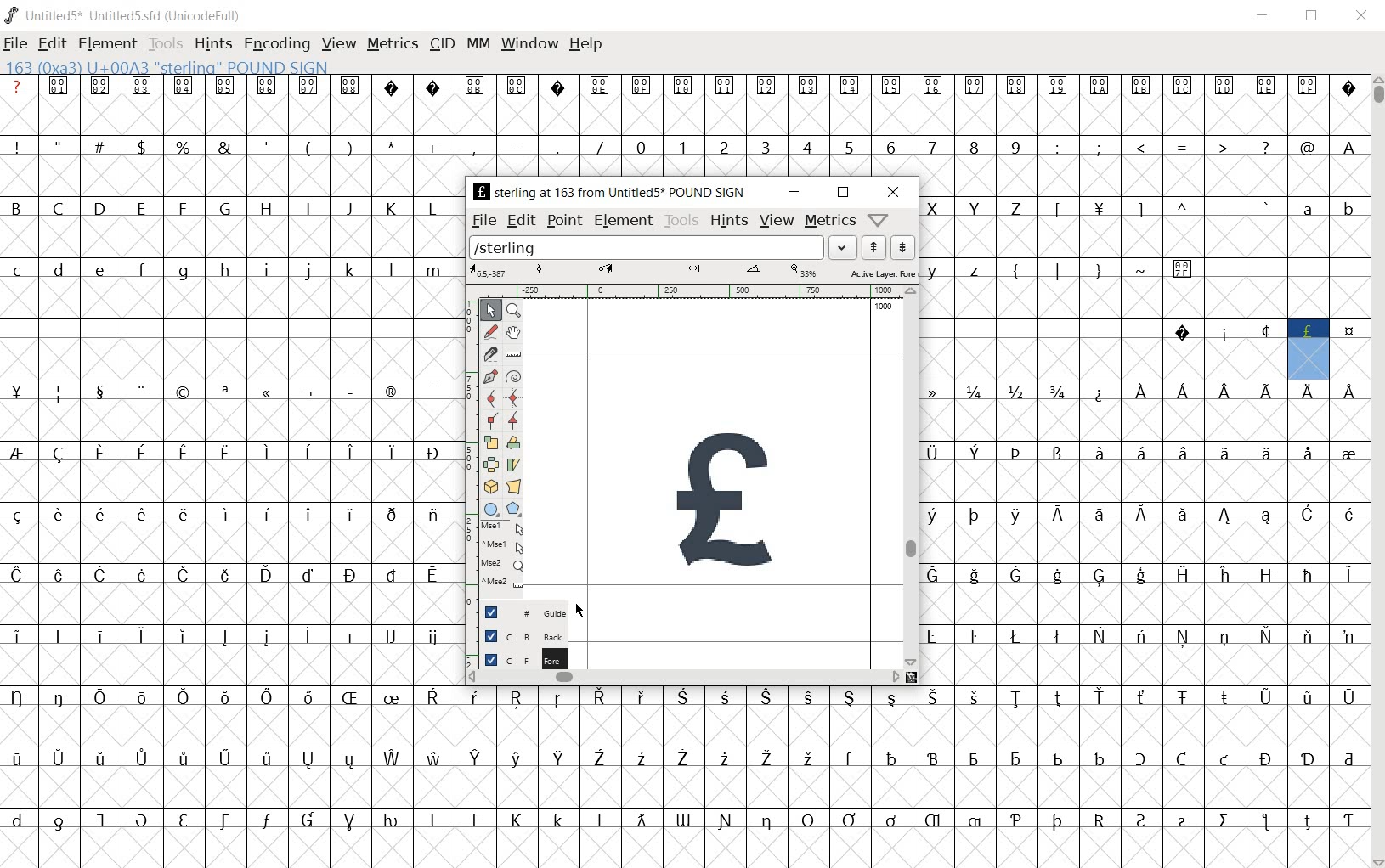  Describe the element at coordinates (133, 18) in the screenshot. I see `Untitled5 Untitled5.sfd (UnicodeFull)` at that location.